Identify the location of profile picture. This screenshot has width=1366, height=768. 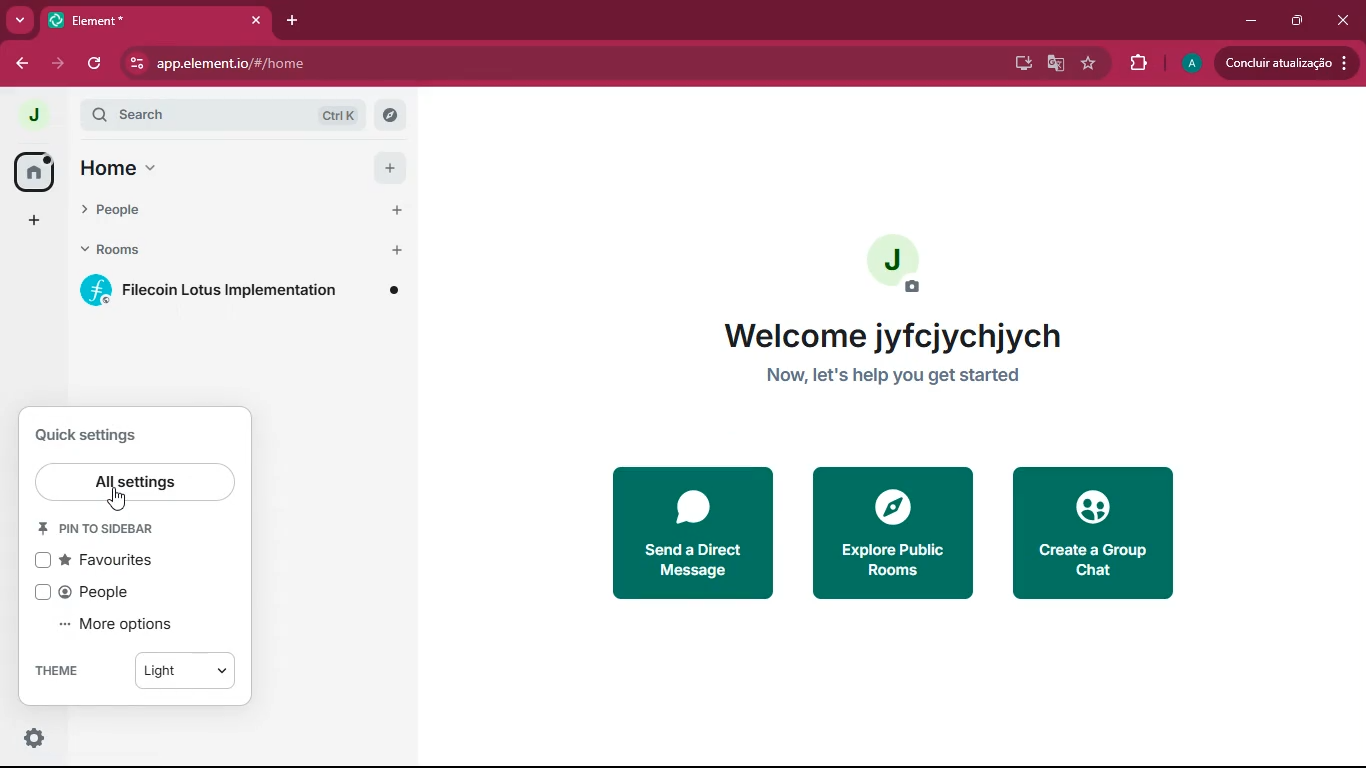
(896, 266).